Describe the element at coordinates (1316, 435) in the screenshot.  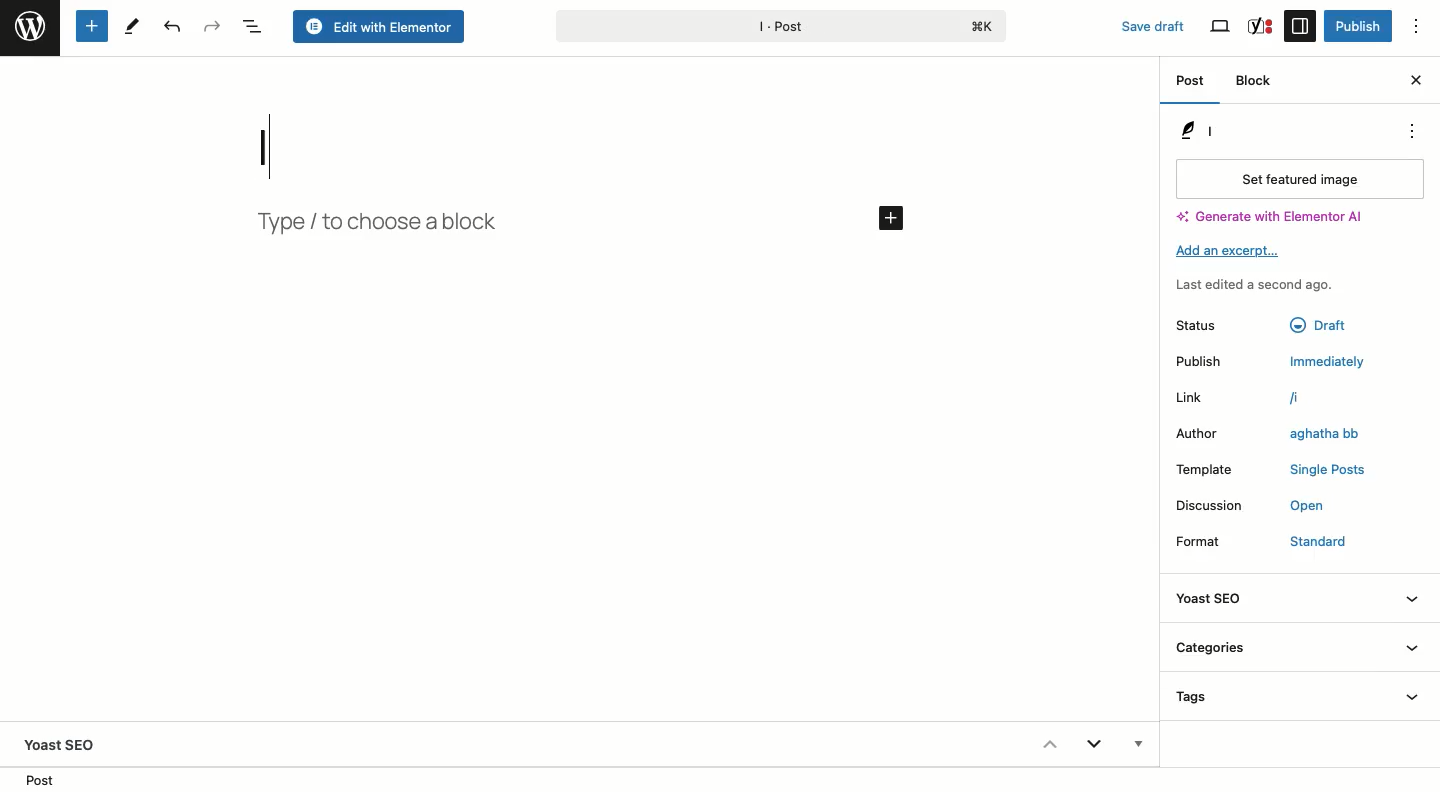
I see `‘aghatha bb.` at that location.